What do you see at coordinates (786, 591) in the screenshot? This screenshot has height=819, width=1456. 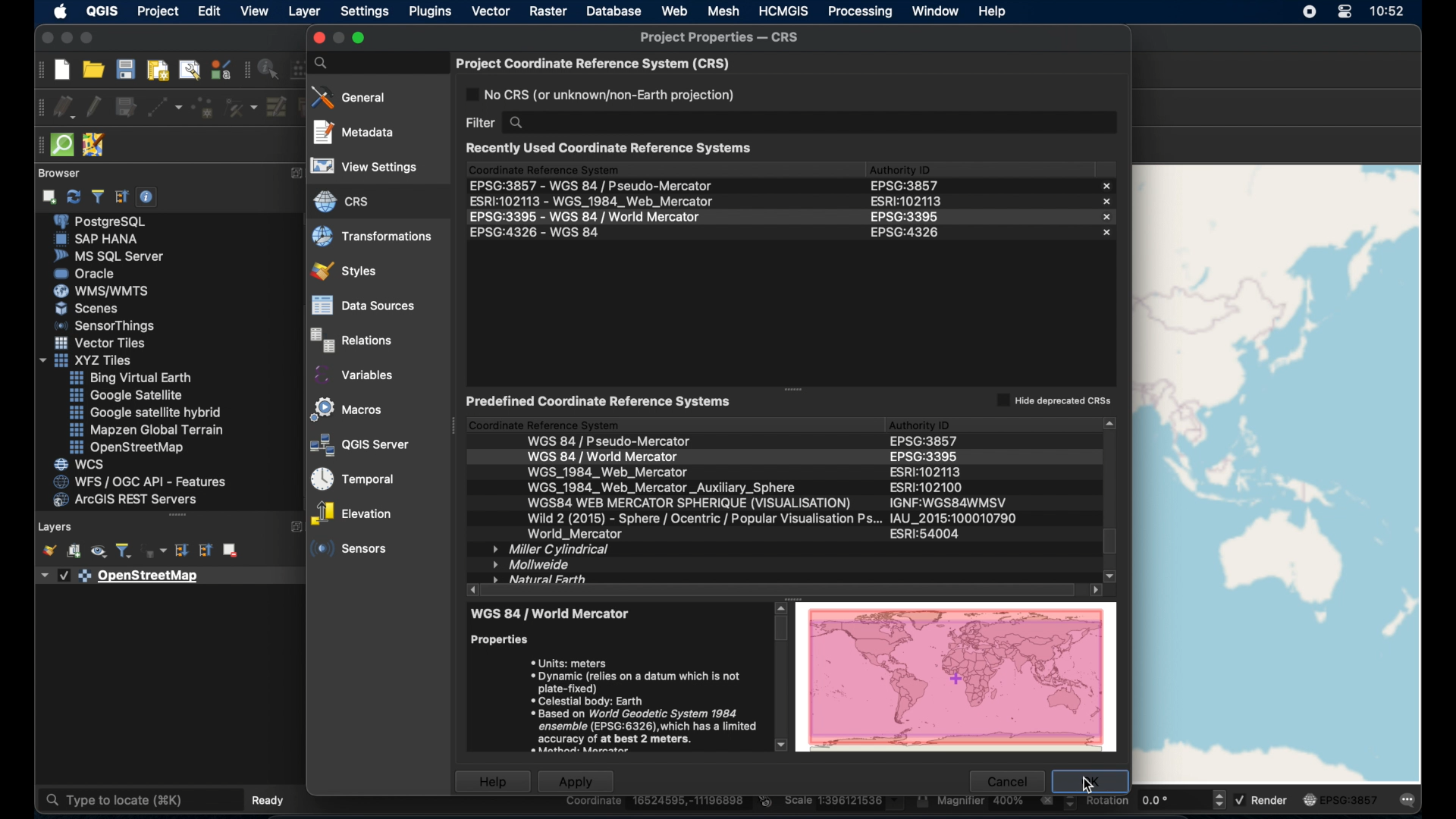 I see `scroll bar` at bounding box center [786, 591].